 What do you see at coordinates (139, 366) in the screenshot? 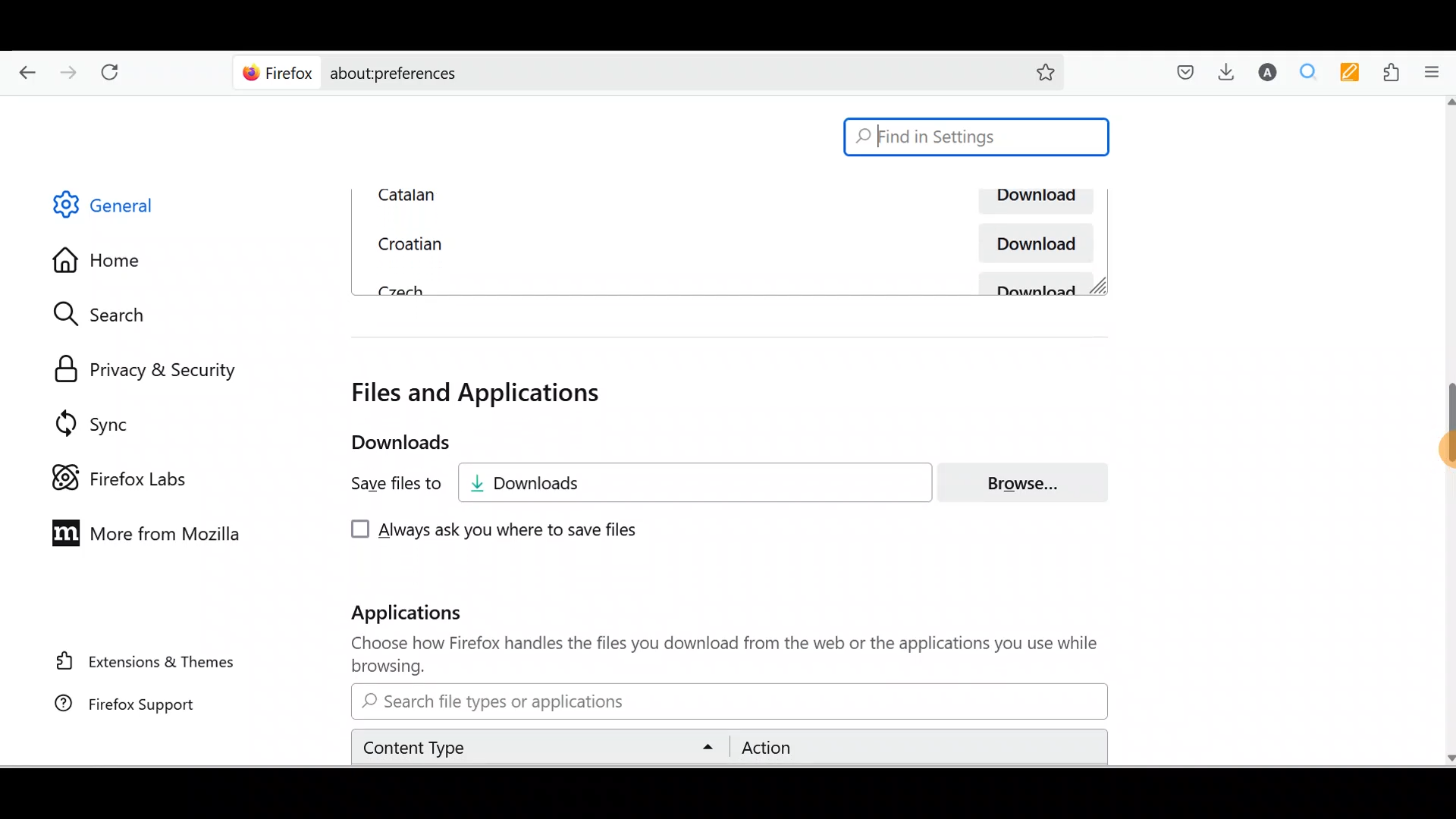
I see `Privacy and security settings` at bounding box center [139, 366].